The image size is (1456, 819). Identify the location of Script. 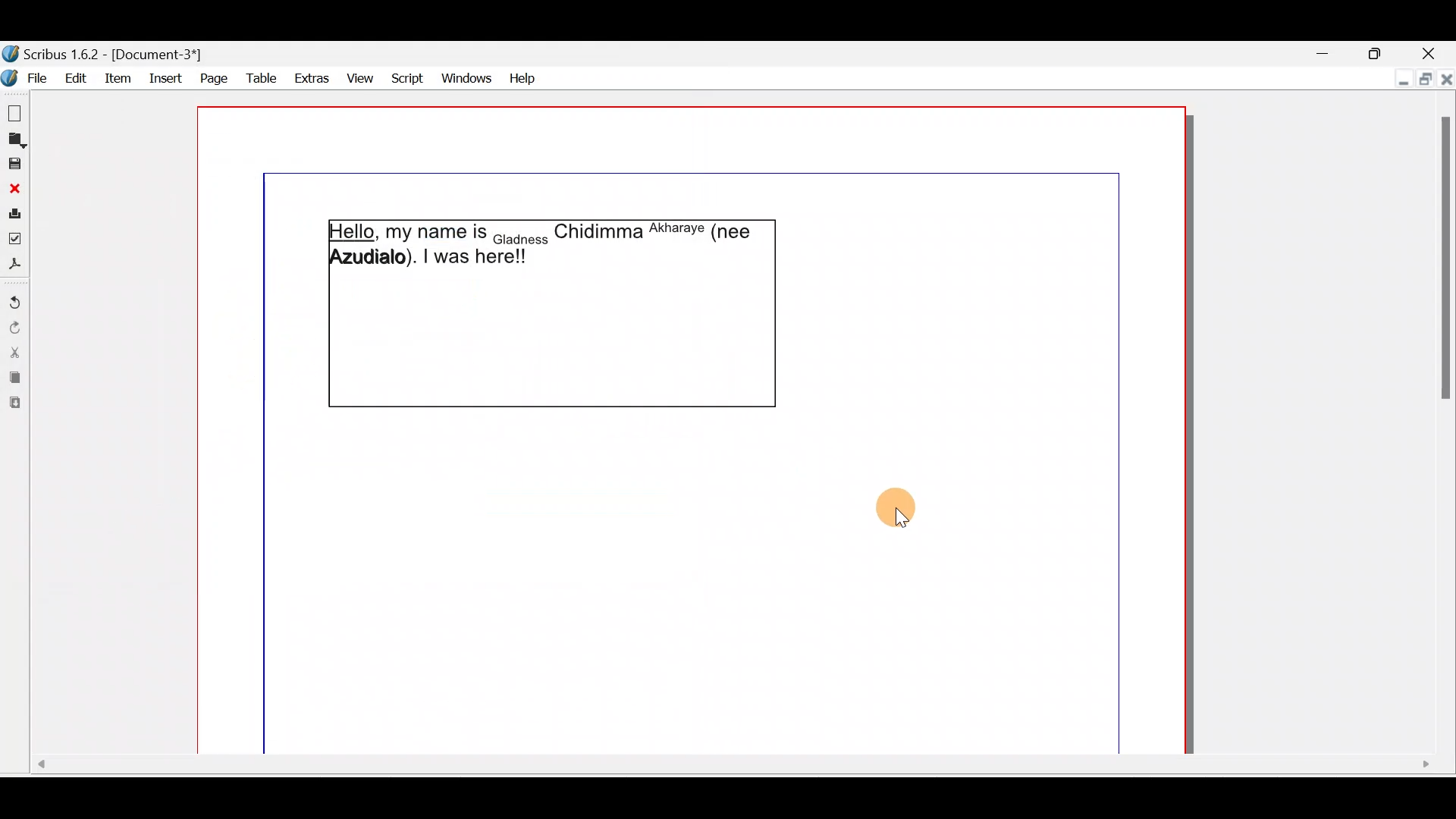
(406, 75).